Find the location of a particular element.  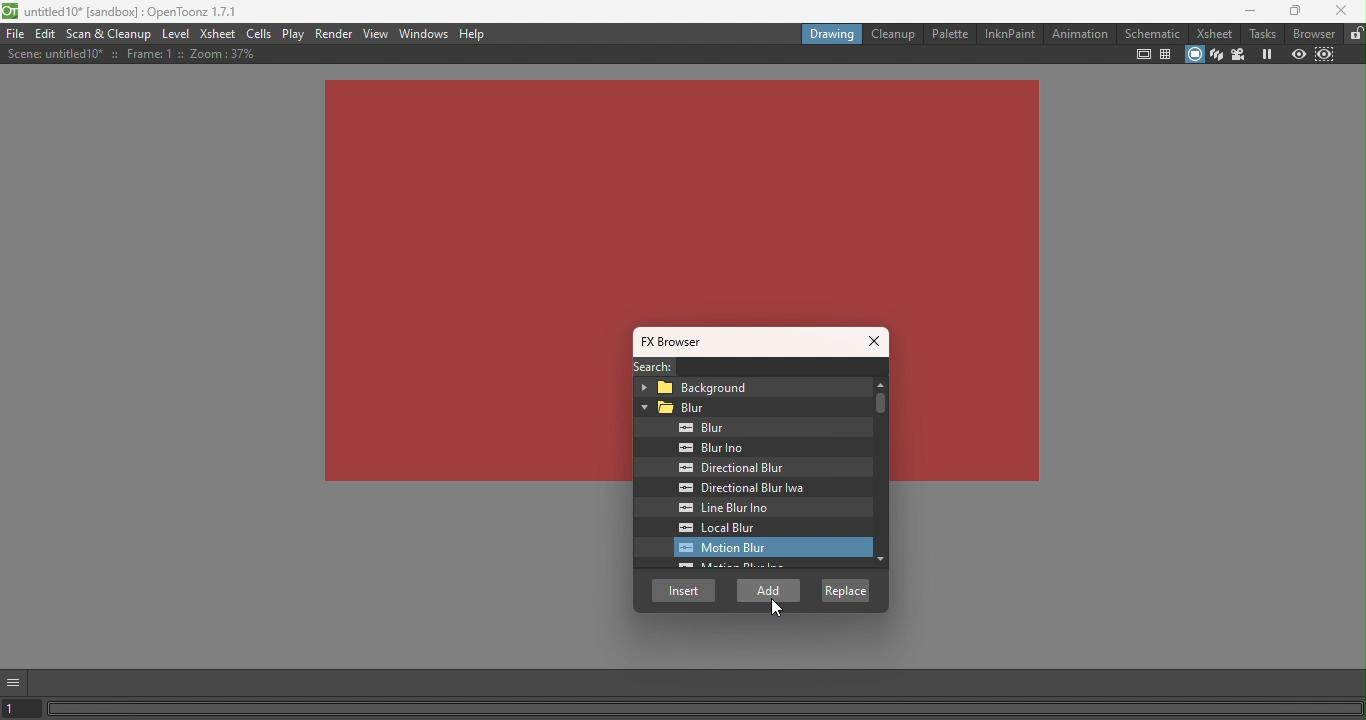

Lock rooms tab is located at coordinates (1356, 34).